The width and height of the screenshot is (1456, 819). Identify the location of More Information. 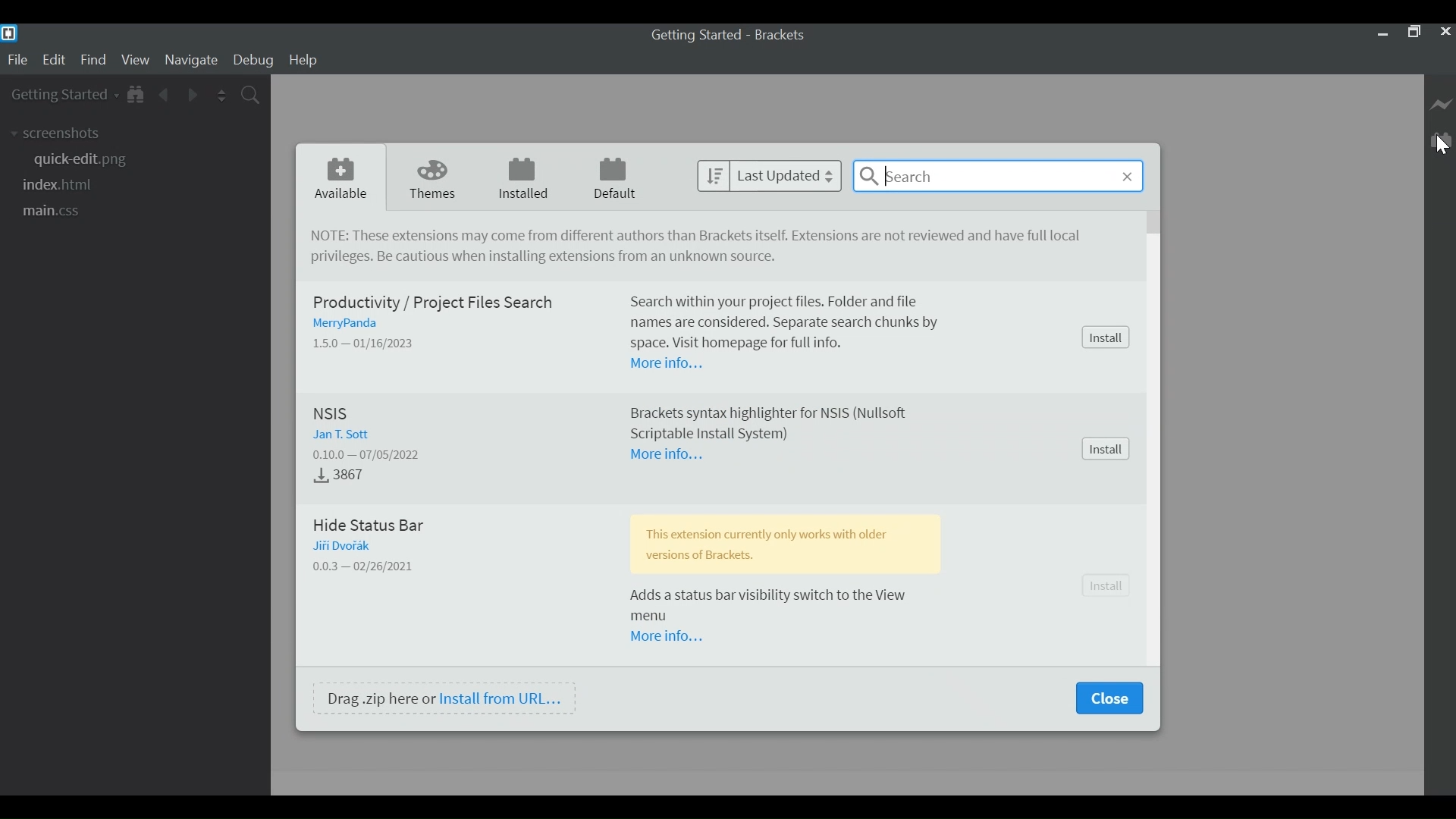
(670, 365).